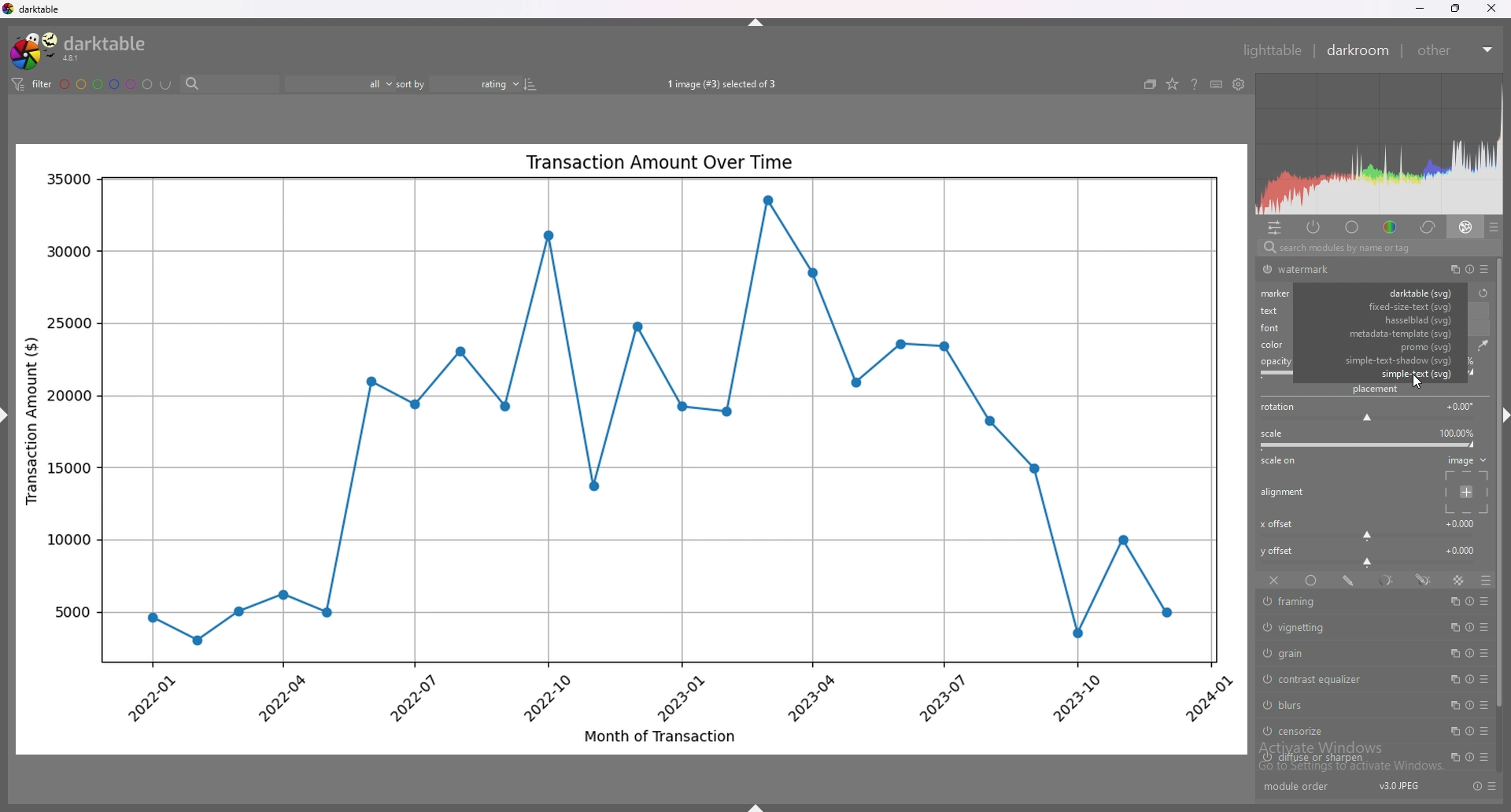 The image size is (1511, 812). I want to click on hide, so click(757, 22).